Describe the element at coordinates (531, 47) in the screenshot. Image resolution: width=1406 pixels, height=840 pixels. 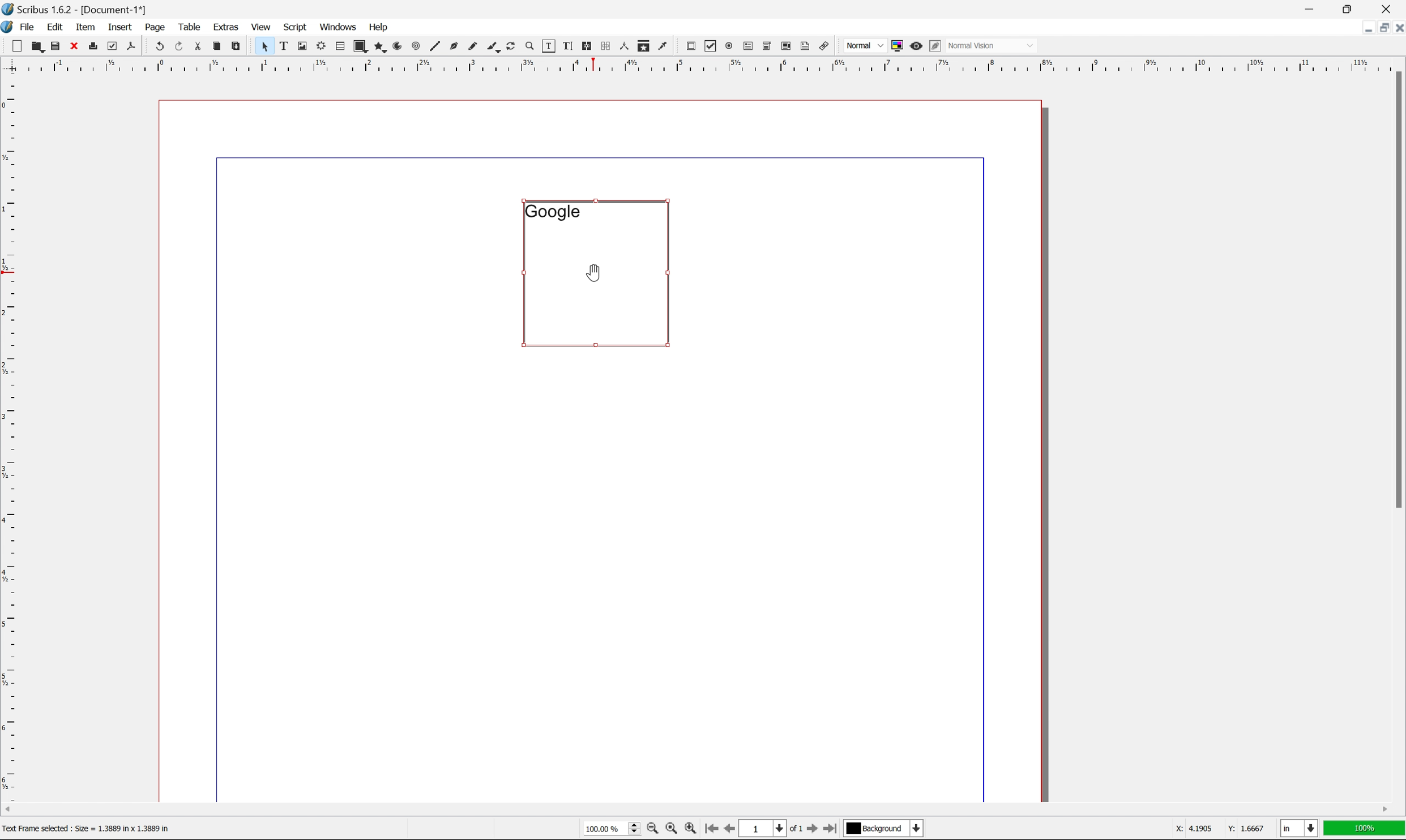
I see `zoom in or zoom out` at that location.